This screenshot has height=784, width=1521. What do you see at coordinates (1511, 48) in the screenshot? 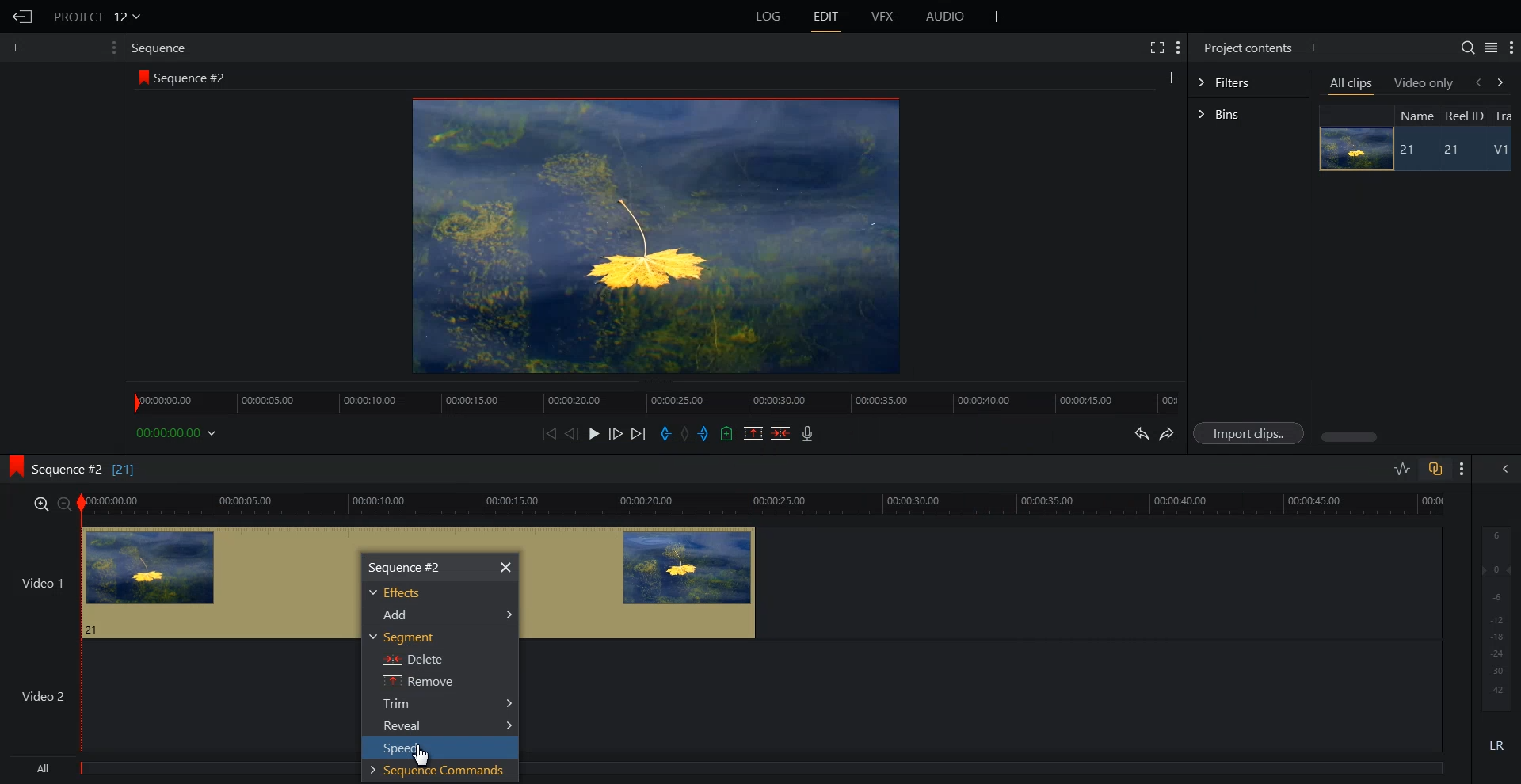
I see `Show setting menu` at bounding box center [1511, 48].